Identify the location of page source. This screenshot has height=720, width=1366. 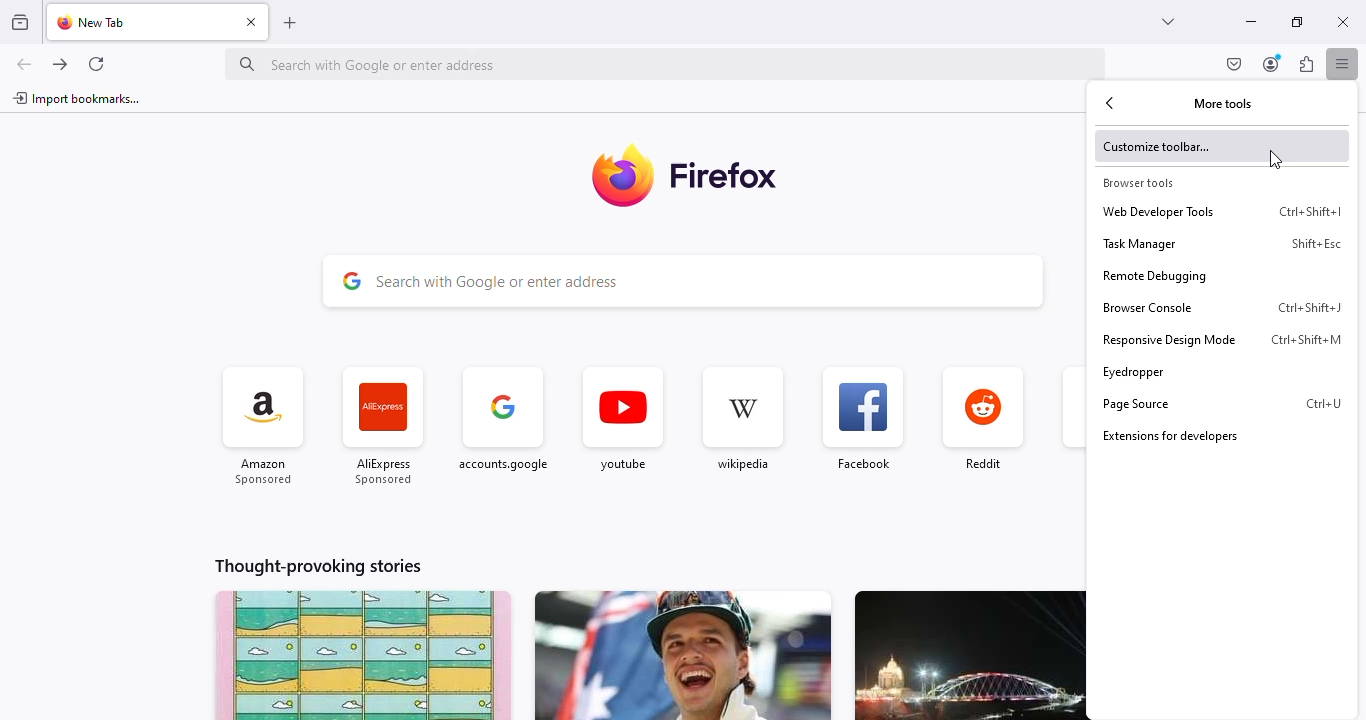
(1196, 404).